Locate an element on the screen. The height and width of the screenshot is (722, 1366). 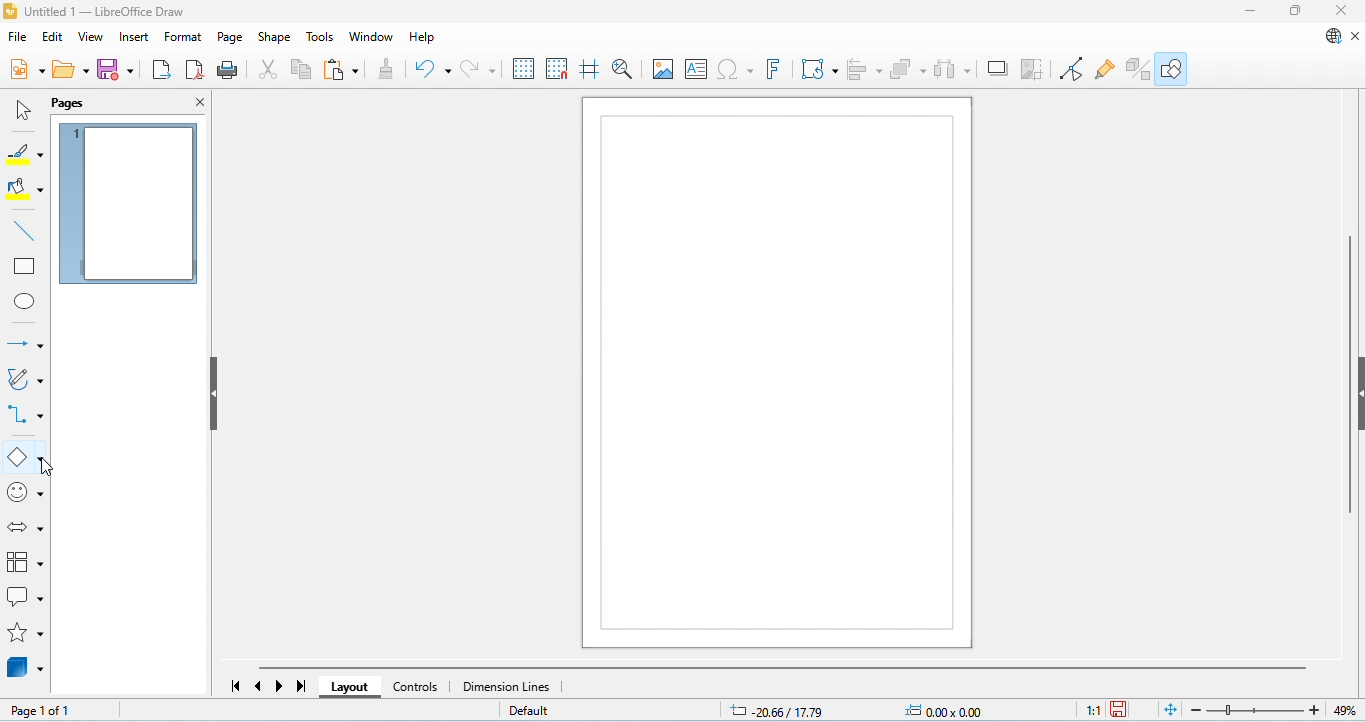
display grid is located at coordinates (522, 69).